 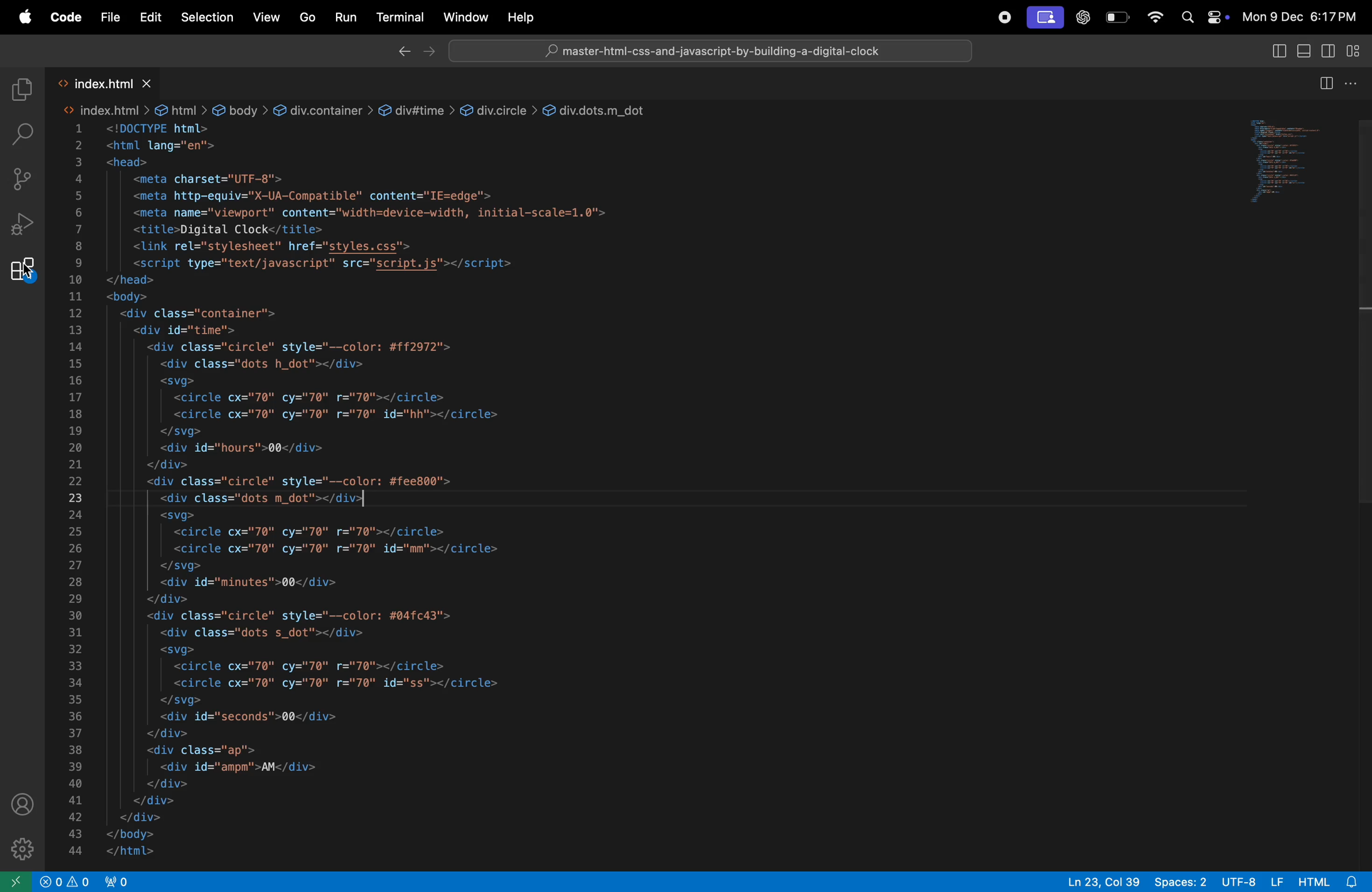 I want to click on search bar, so click(x=21, y=132).